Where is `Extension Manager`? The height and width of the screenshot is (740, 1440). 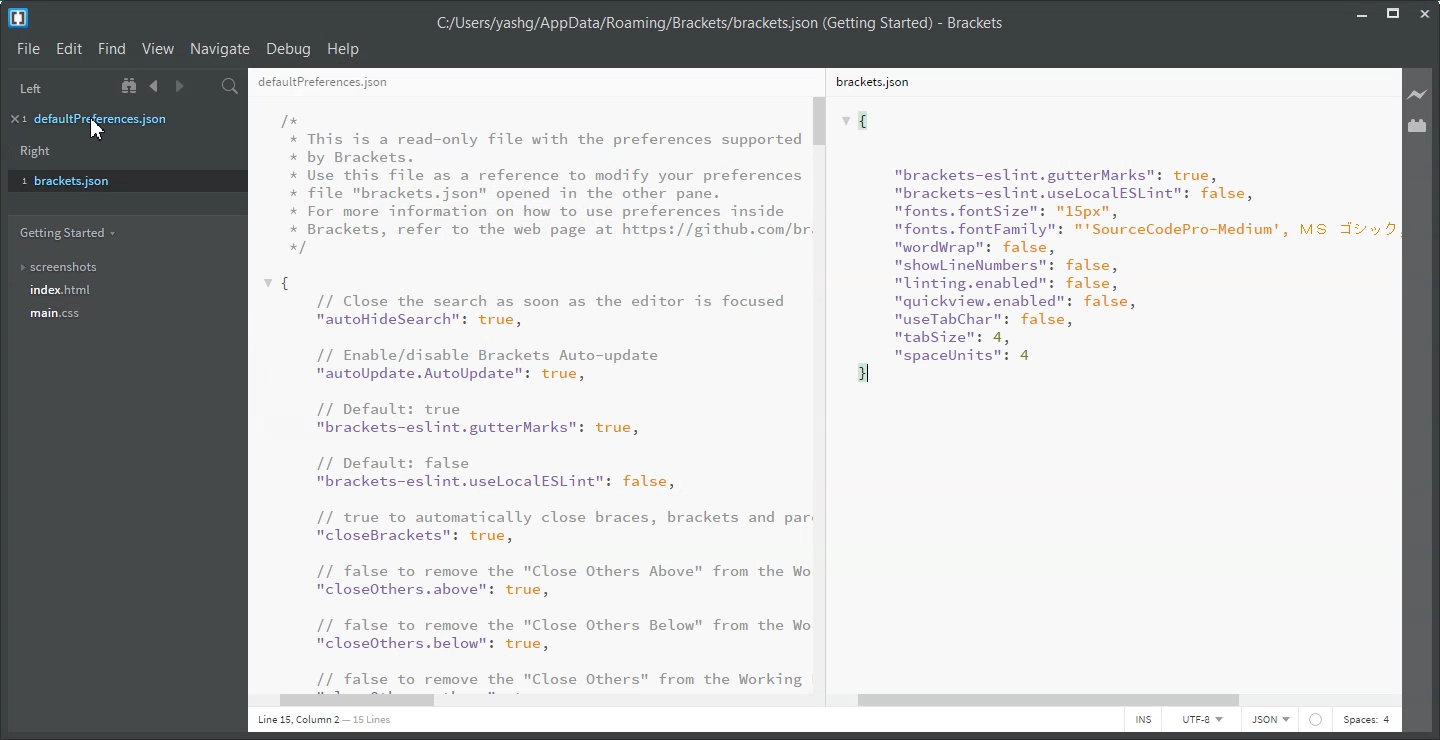
Extension Manager is located at coordinates (1419, 126).